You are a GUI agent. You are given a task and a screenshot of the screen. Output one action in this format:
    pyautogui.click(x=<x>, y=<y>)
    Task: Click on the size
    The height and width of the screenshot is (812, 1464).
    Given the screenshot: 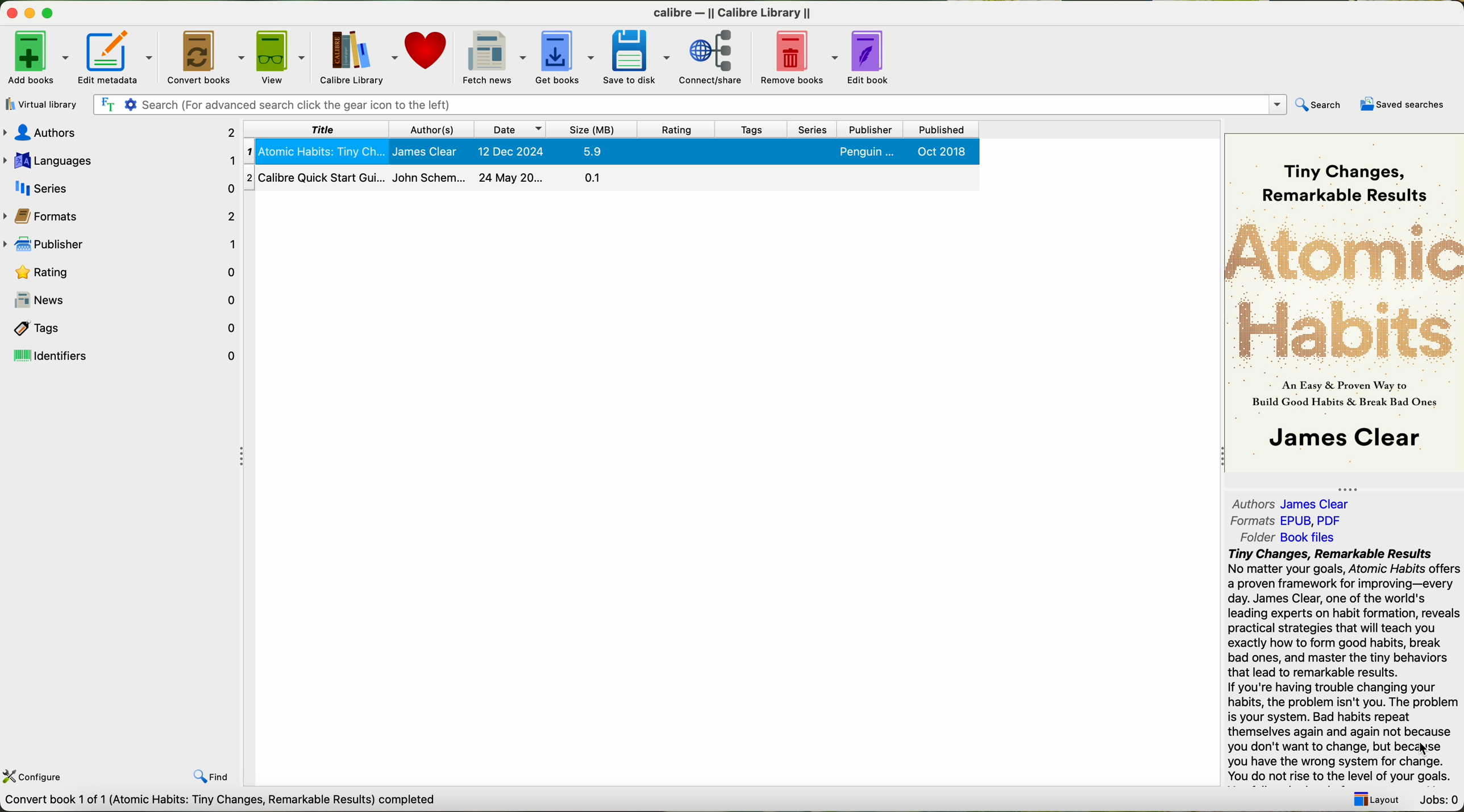 What is the action you would take?
    pyautogui.click(x=591, y=128)
    